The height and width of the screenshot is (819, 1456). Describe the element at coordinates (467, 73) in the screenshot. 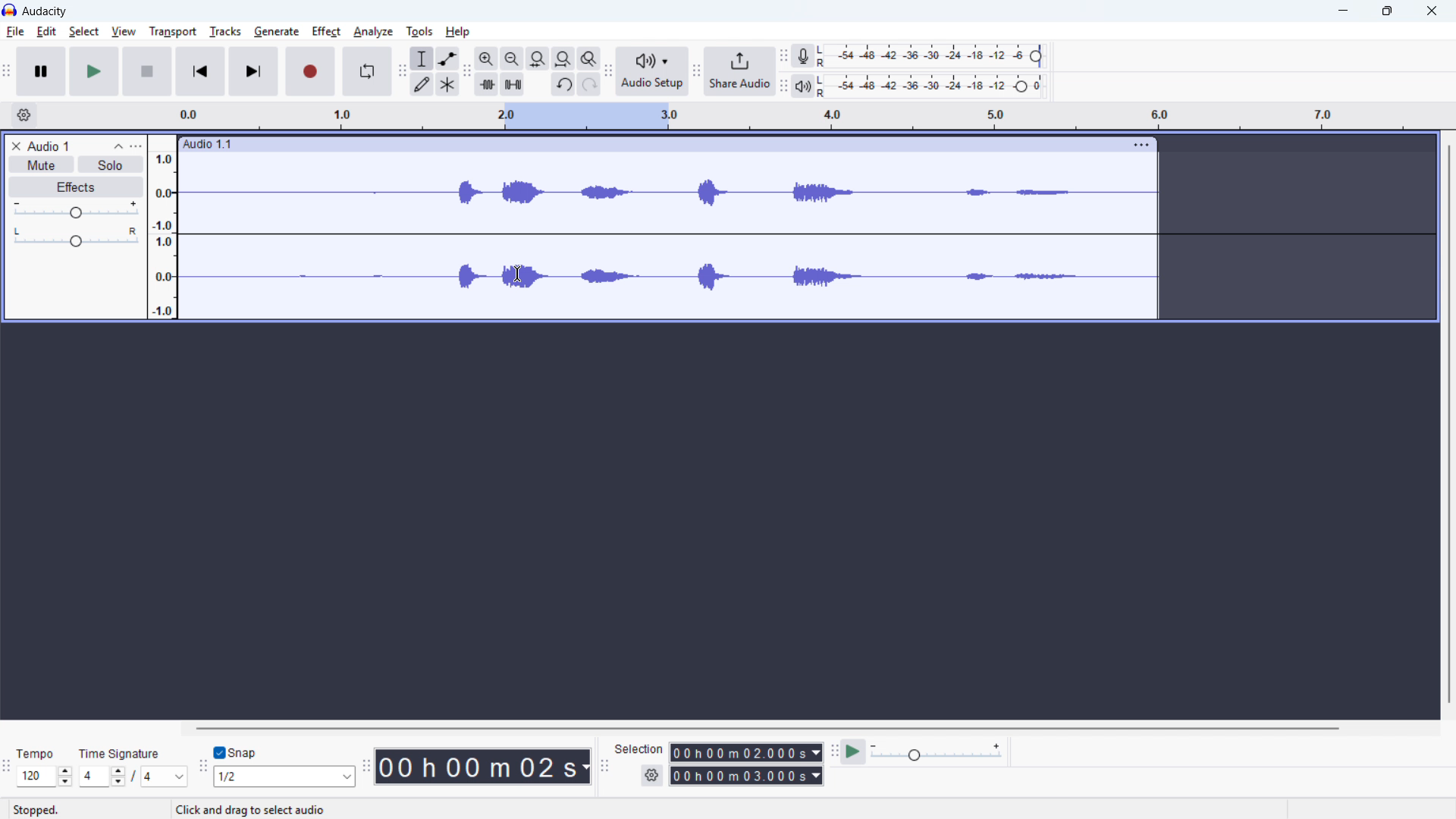

I see `Edit toolbar` at that location.